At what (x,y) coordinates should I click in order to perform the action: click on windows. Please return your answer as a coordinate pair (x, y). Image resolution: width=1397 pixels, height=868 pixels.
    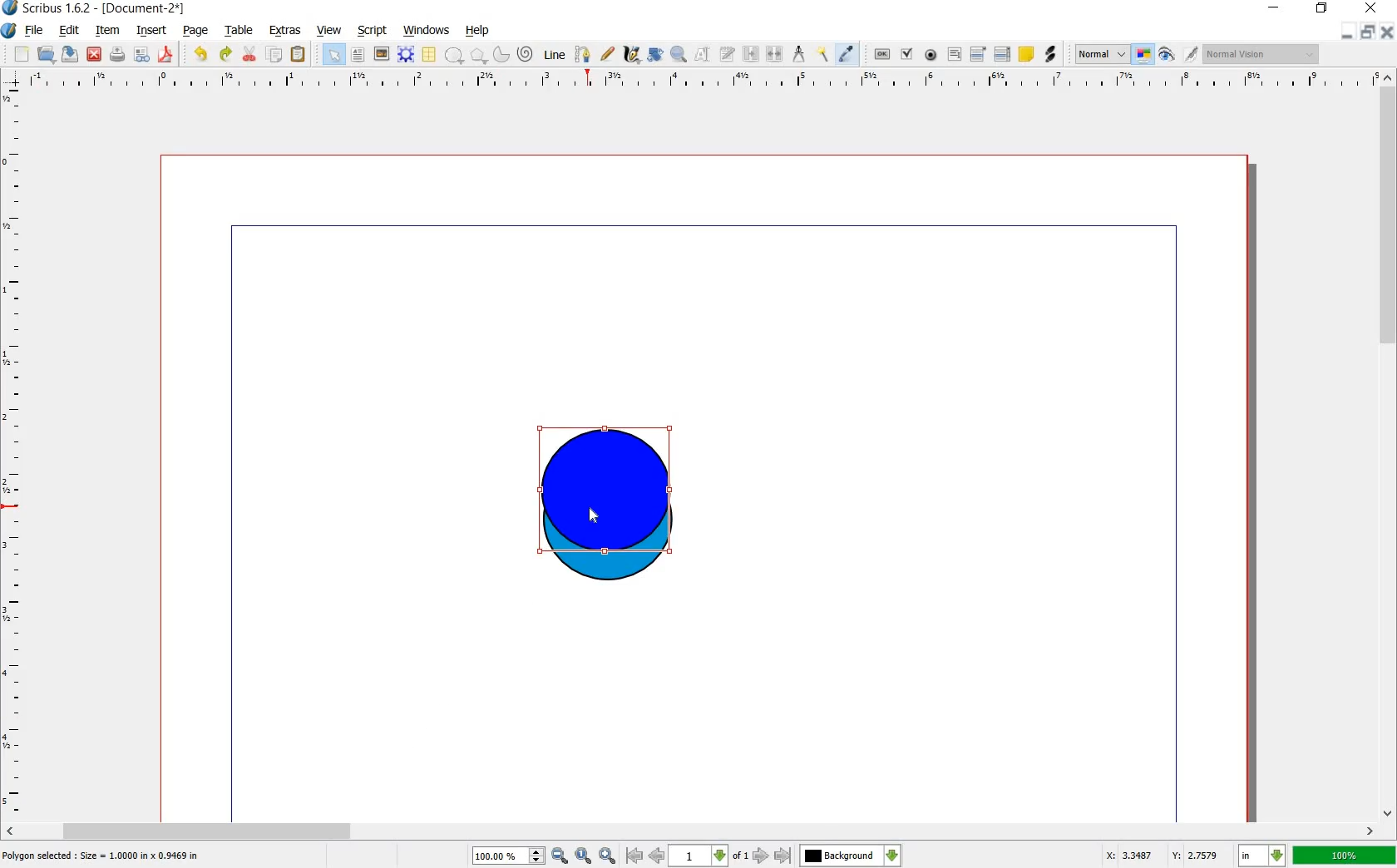
    Looking at the image, I should click on (426, 31).